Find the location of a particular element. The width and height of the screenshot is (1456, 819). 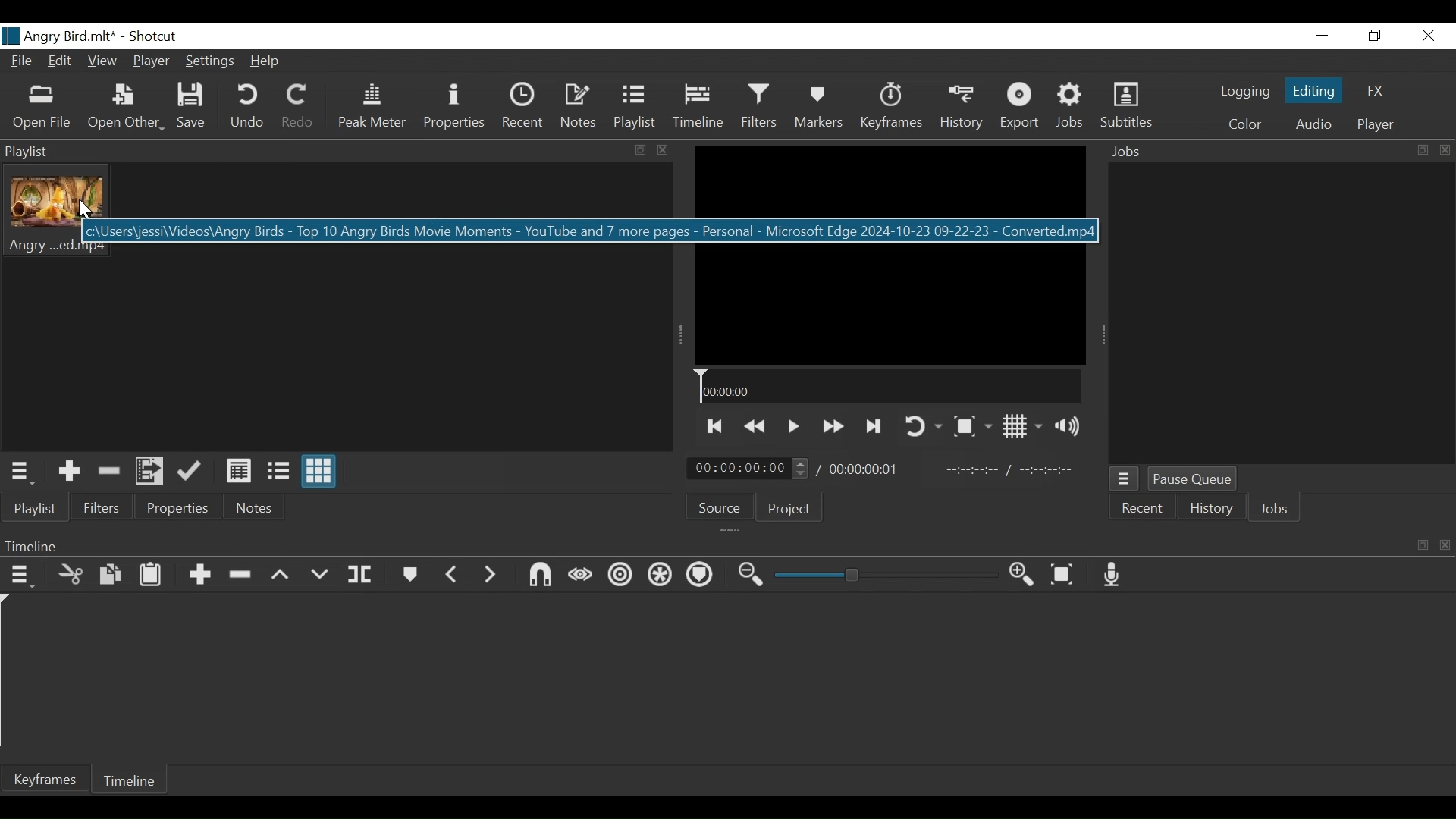

Ripple is located at coordinates (620, 575).